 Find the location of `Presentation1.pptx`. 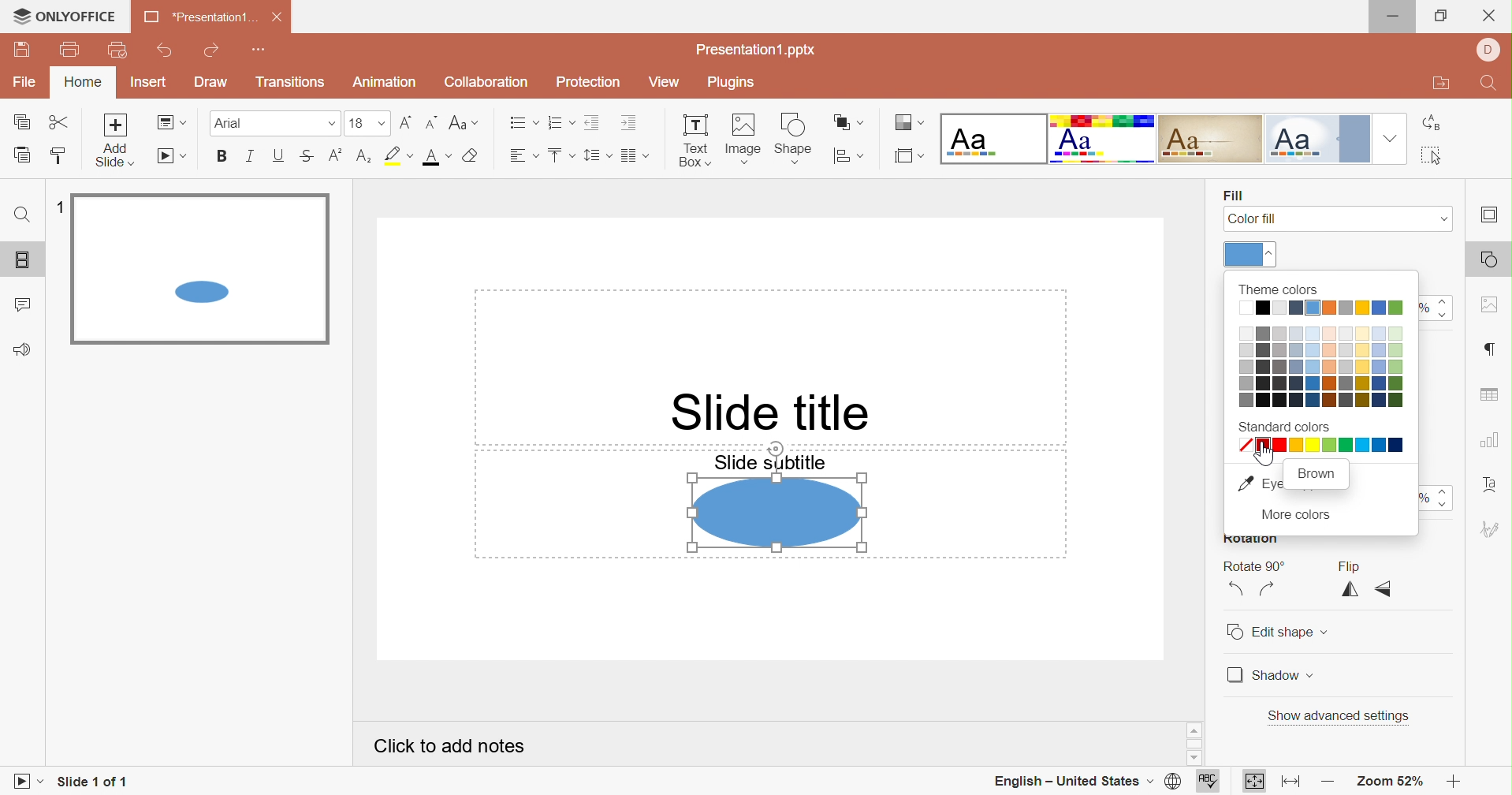

Presentation1.pptx is located at coordinates (757, 51).